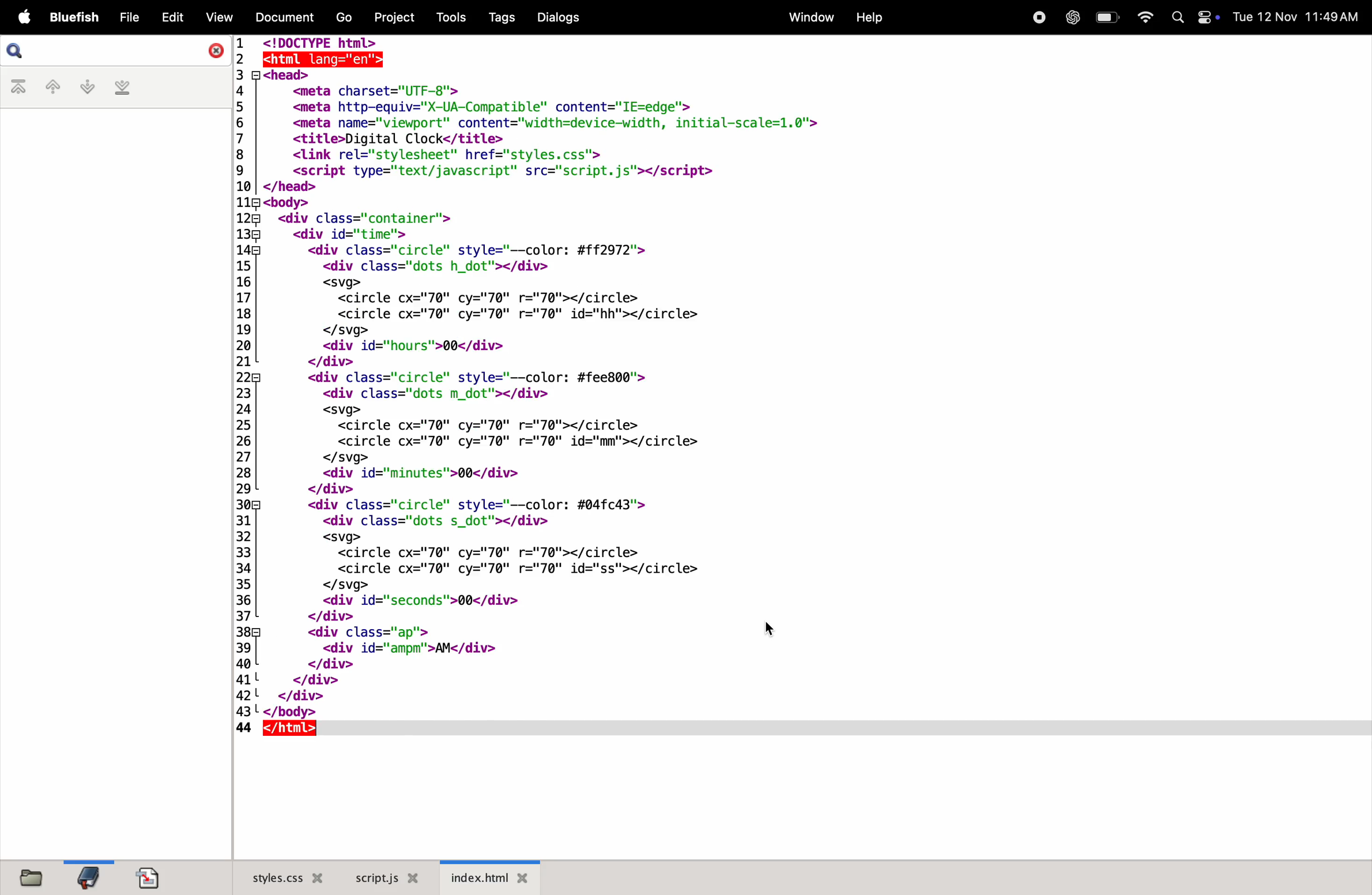 The image size is (1372, 895). Describe the element at coordinates (811, 16) in the screenshot. I see `window` at that location.